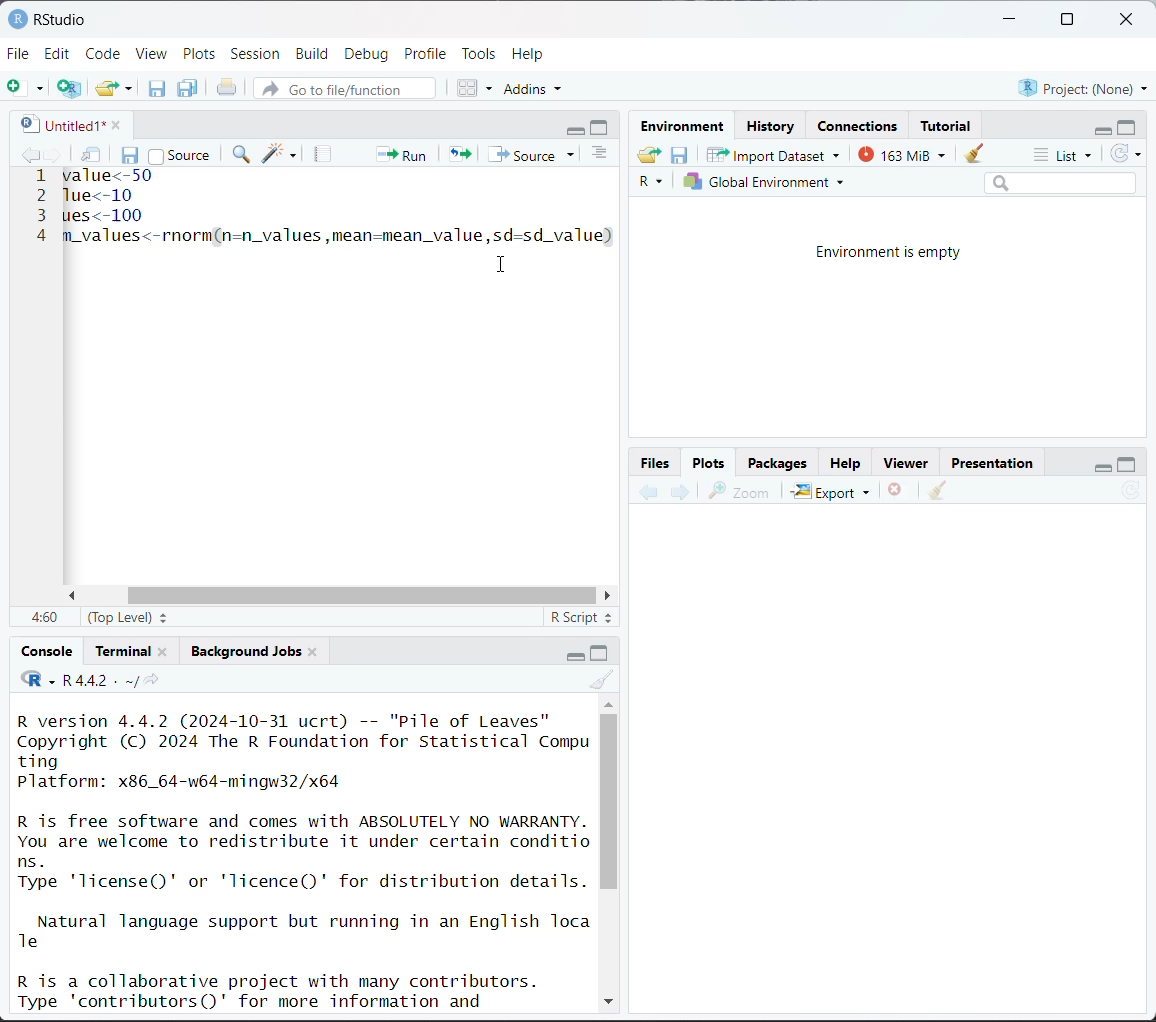 The height and width of the screenshot is (1022, 1156). Describe the element at coordinates (58, 124) in the screenshot. I see `untitled1` at that location.